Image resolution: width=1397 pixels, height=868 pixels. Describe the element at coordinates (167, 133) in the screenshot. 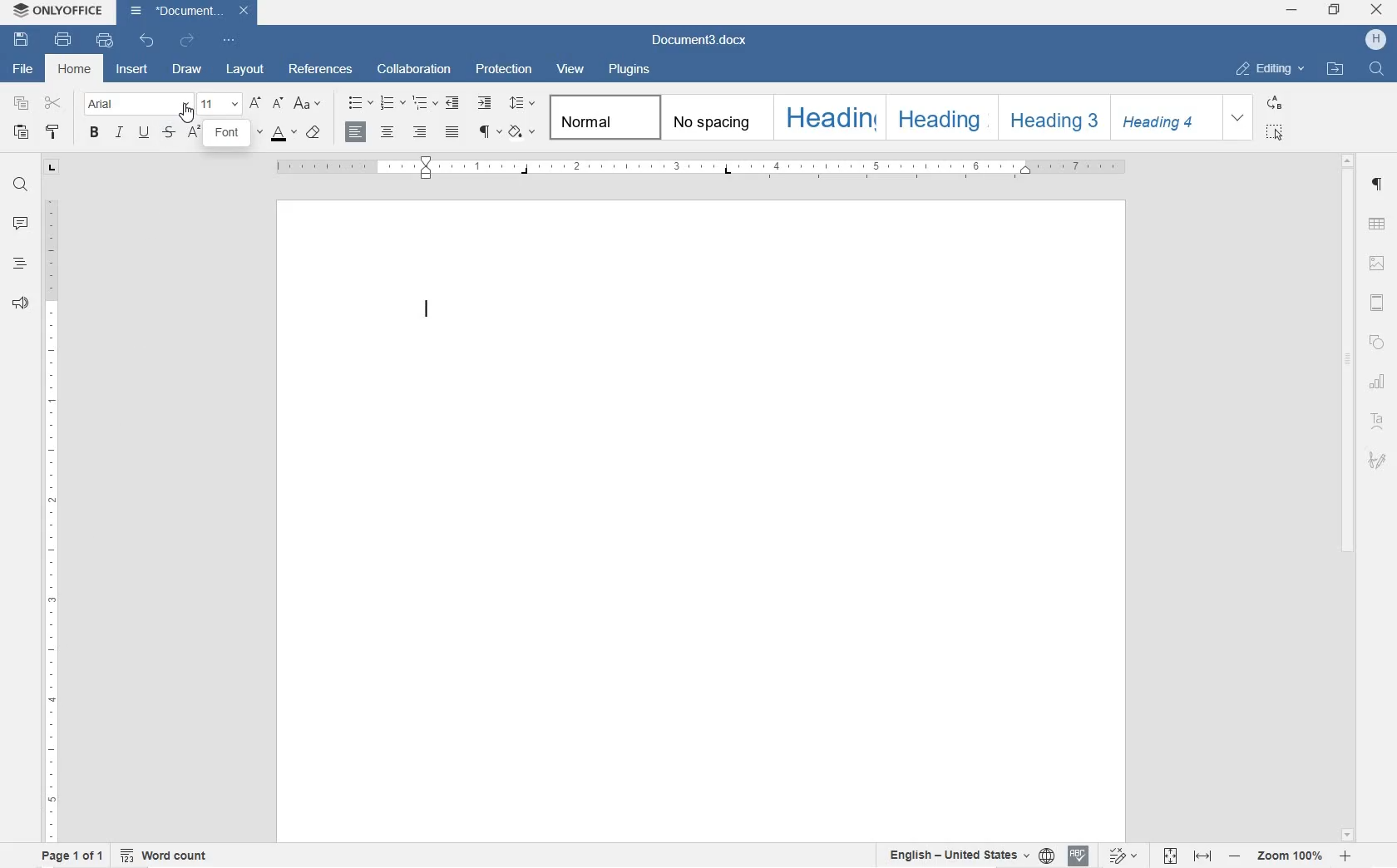

I see `STRIKETHROUGH` at that location.